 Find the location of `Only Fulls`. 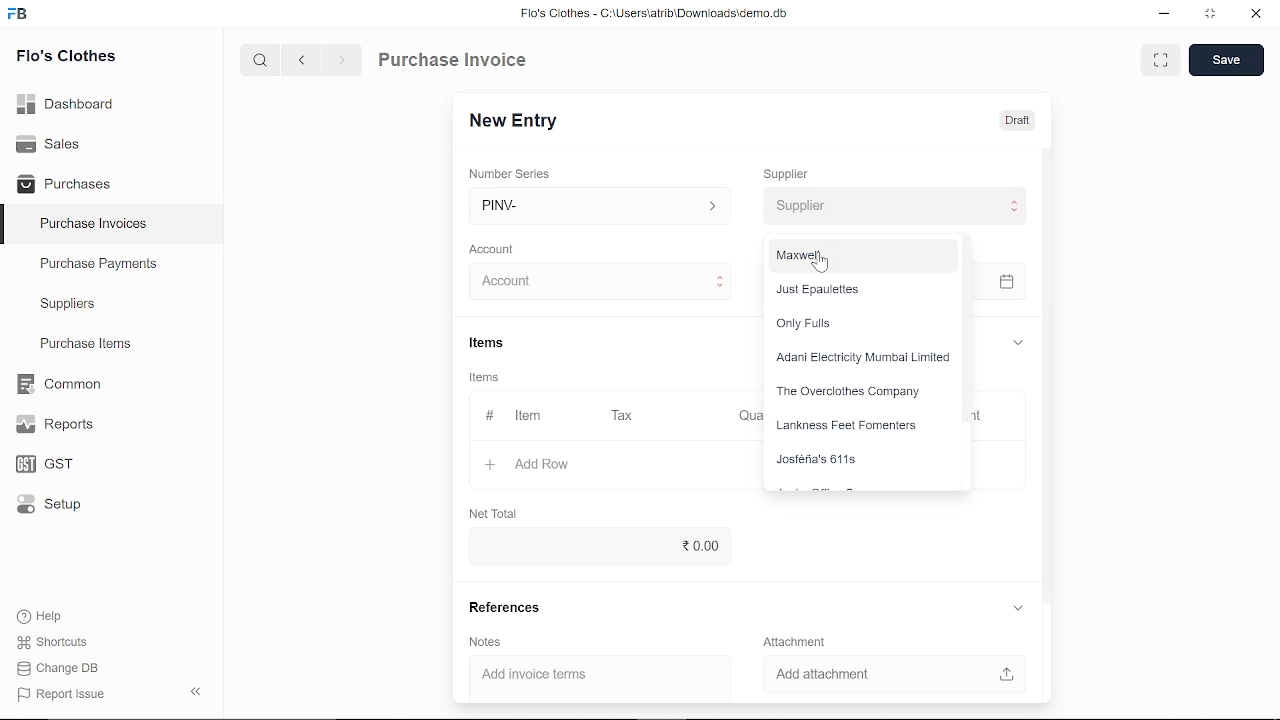

Only Fulls is located at coordinates (854, 323).